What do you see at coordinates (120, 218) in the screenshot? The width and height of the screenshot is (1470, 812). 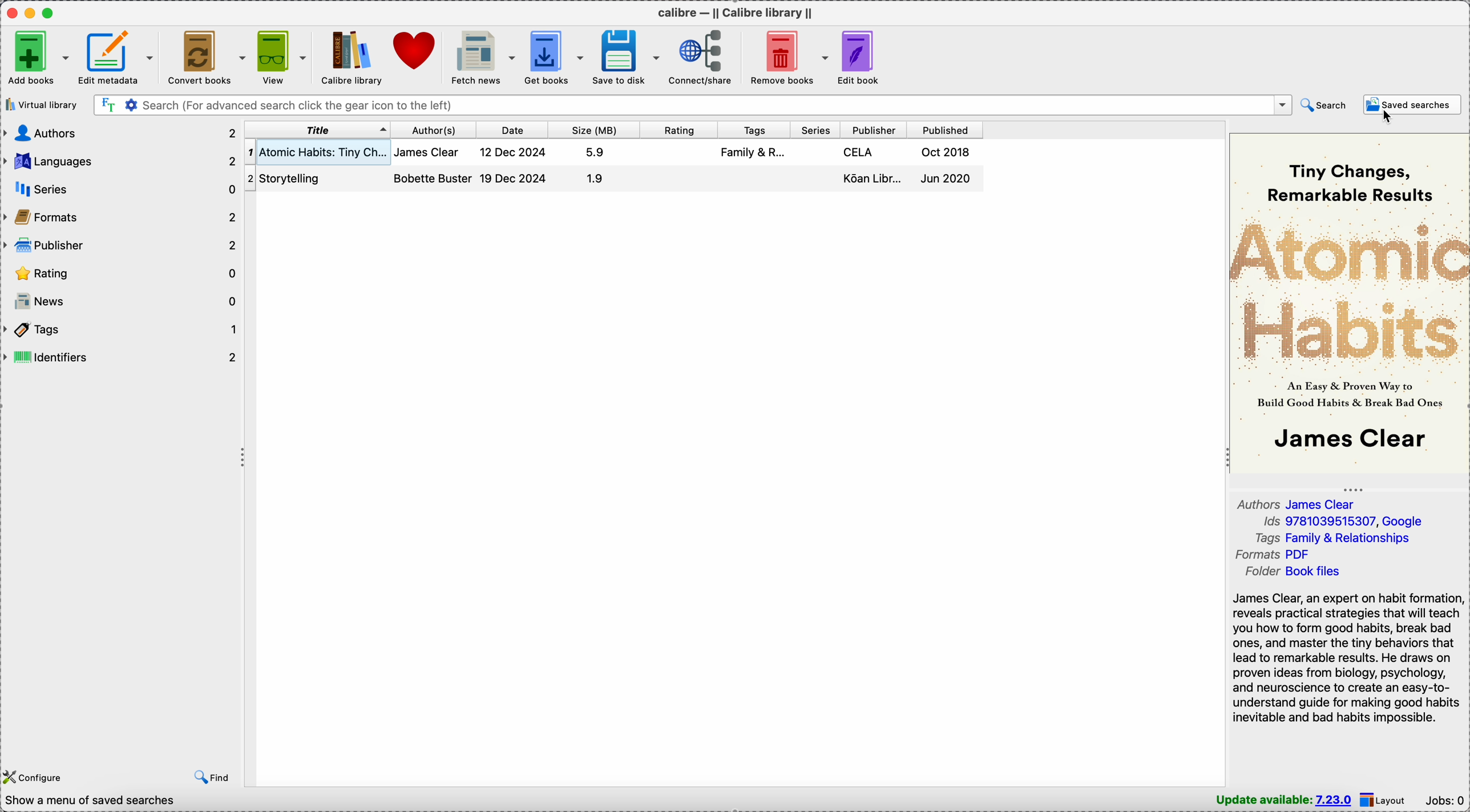 I see `formats` at bounding box center [120, 218].